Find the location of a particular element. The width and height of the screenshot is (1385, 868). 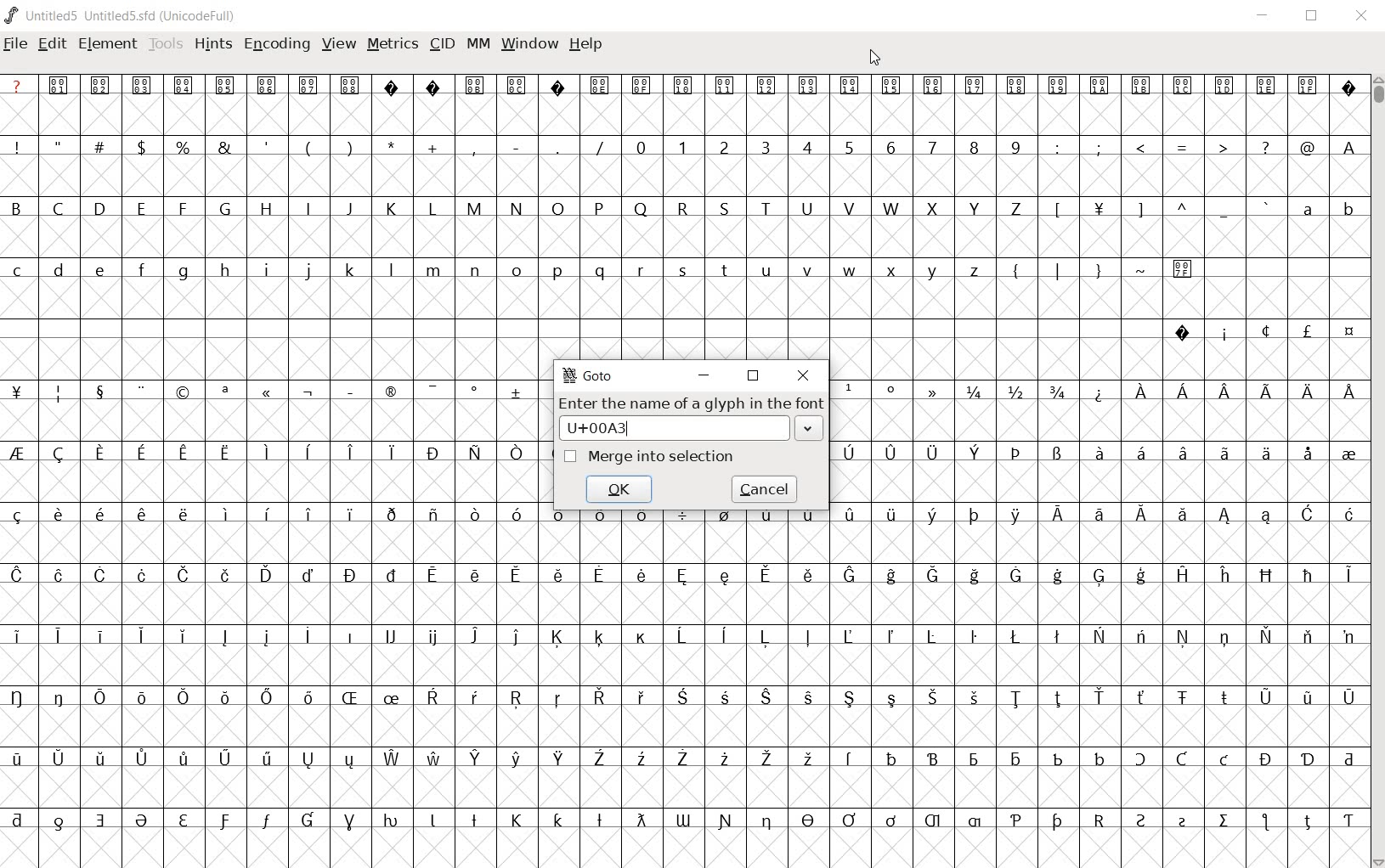

S is located at coordinates (726, 208).